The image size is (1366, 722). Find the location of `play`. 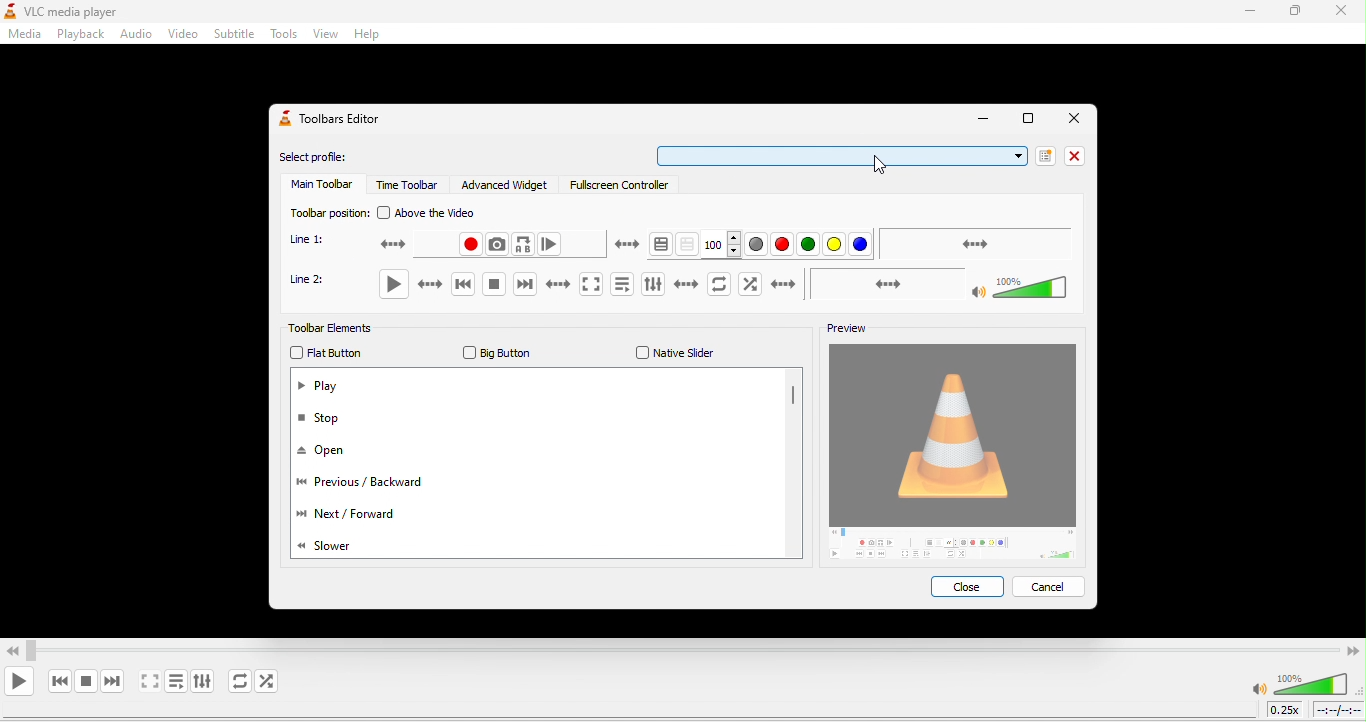

play is located at coordinates (20, 681).